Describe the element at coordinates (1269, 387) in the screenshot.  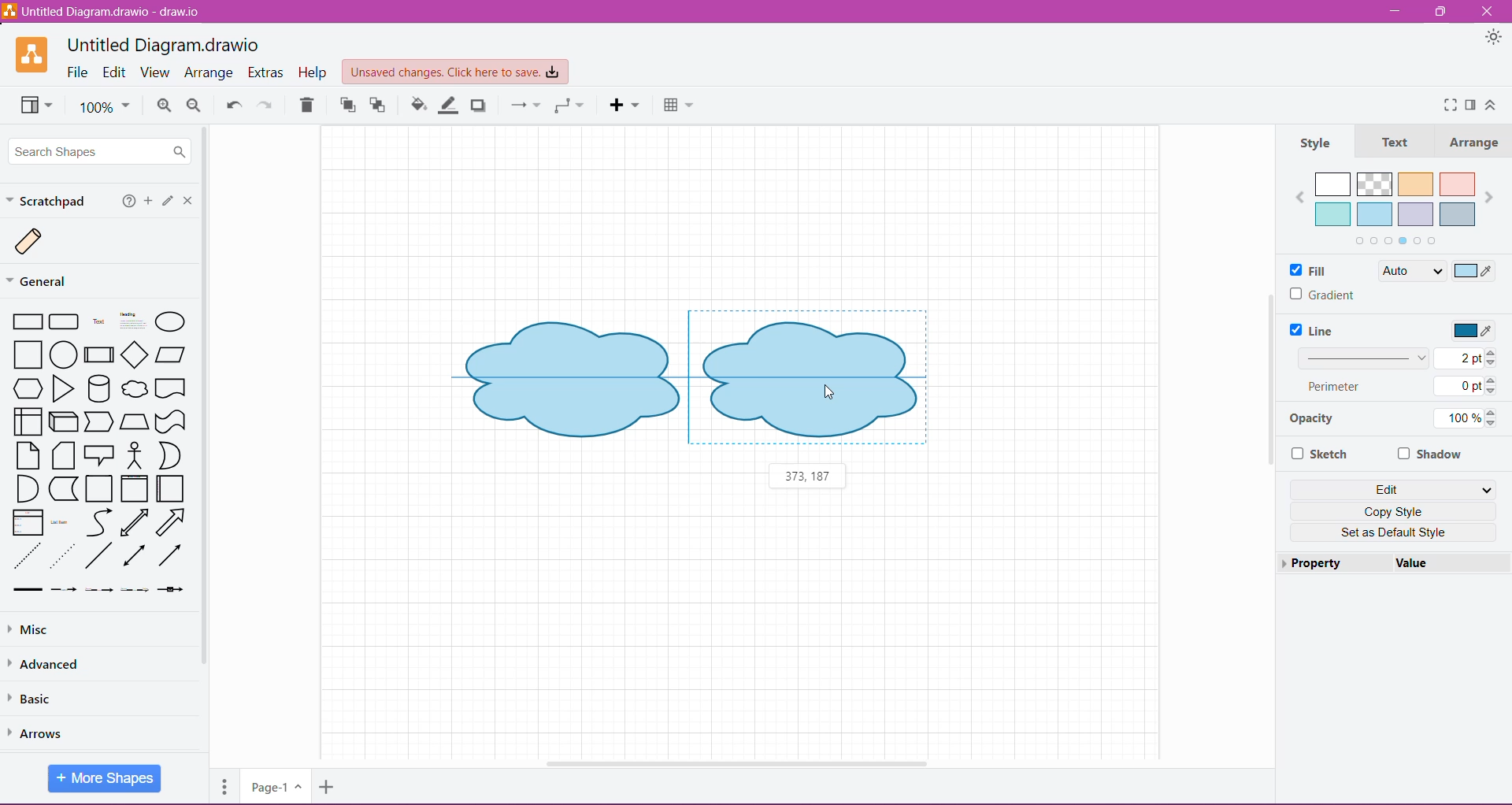
I see `Vertical Scroll Bar` at that location.